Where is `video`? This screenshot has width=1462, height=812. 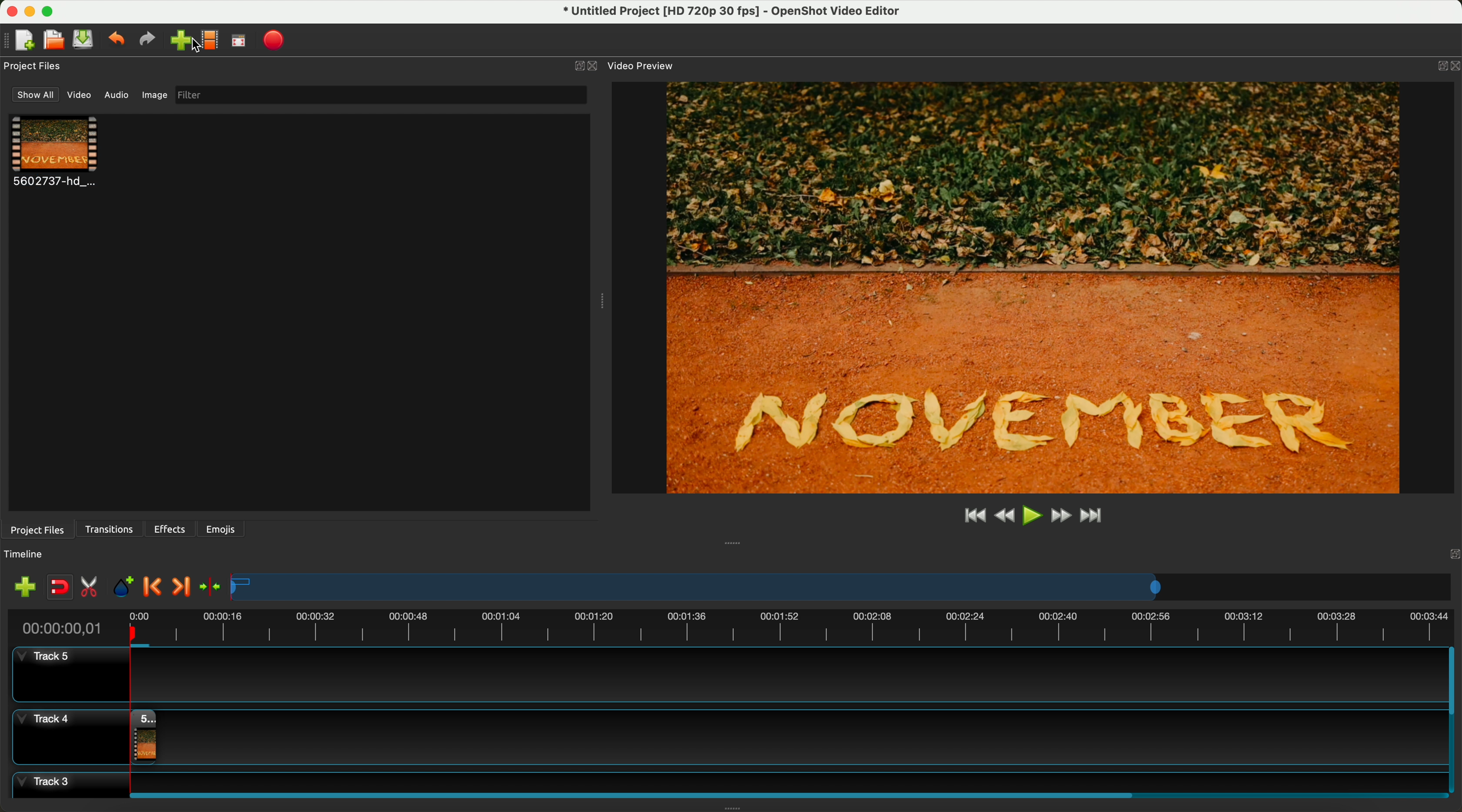
video is located at coordinates (81, 97).